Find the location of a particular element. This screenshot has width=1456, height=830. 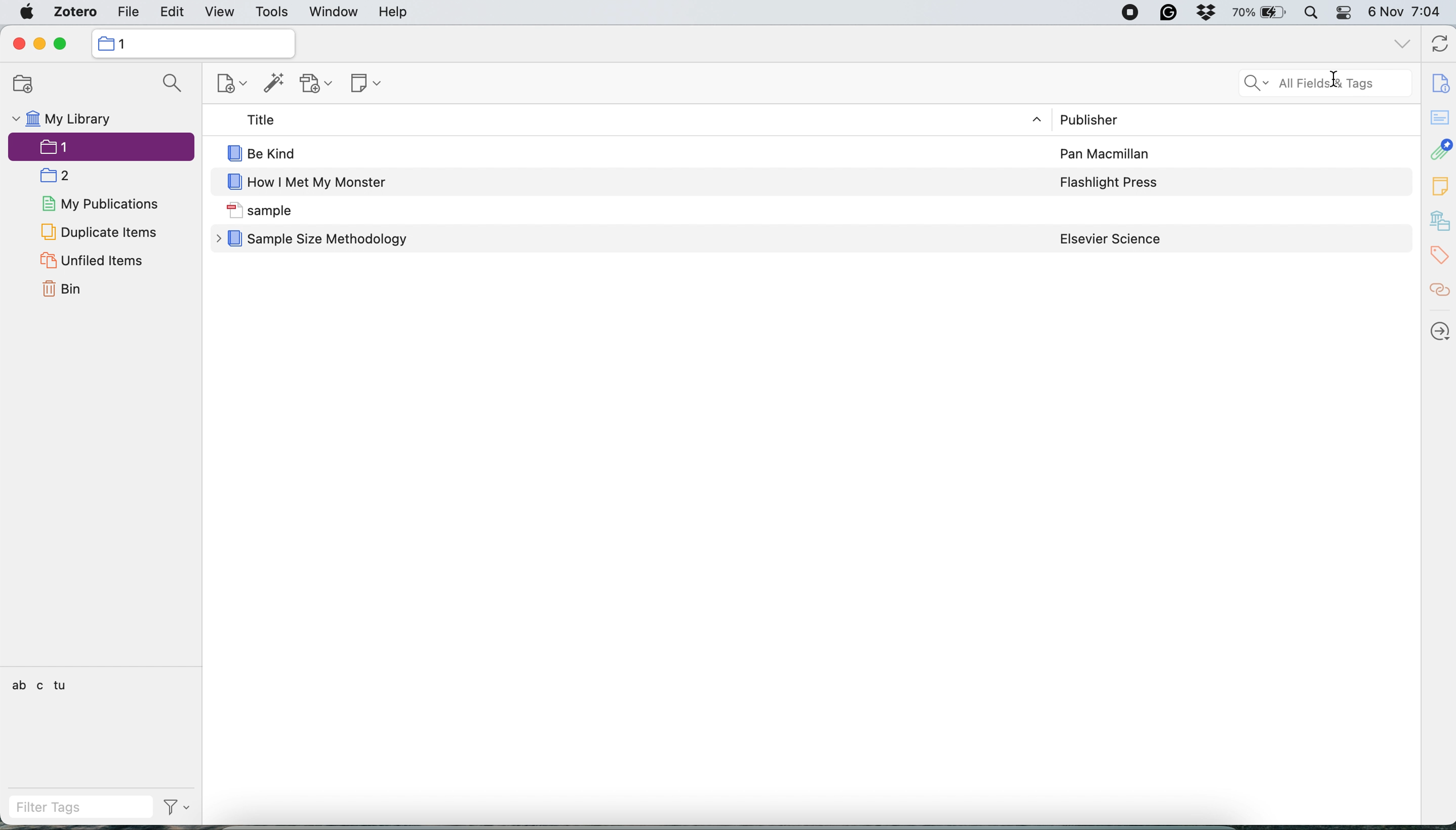

my publications is located at coordinates (103, 205).